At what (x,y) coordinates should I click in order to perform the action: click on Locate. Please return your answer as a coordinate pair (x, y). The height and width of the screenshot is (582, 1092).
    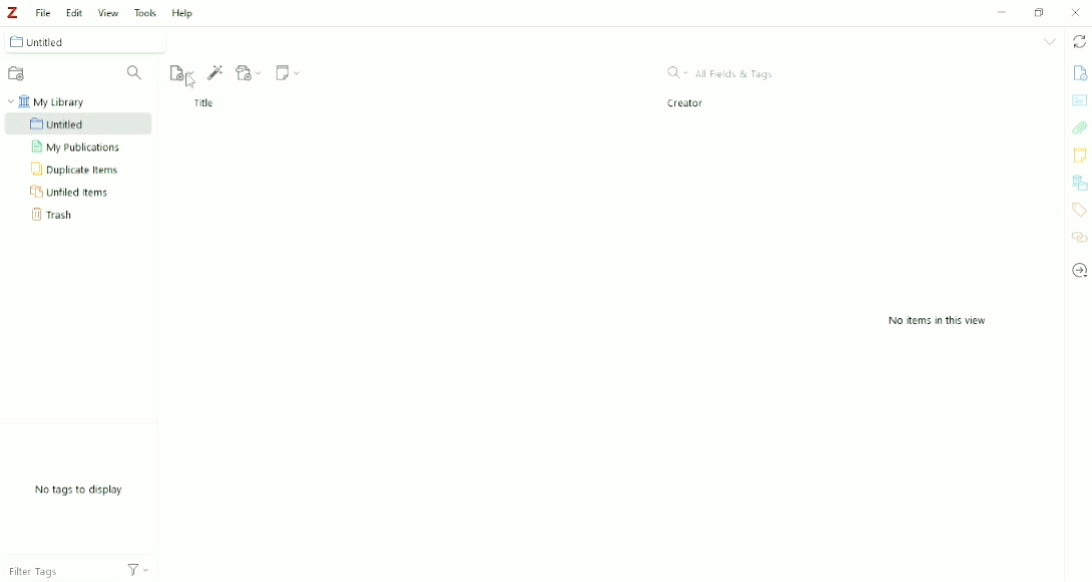
    Looking at the image, I should click on (1079, 270).